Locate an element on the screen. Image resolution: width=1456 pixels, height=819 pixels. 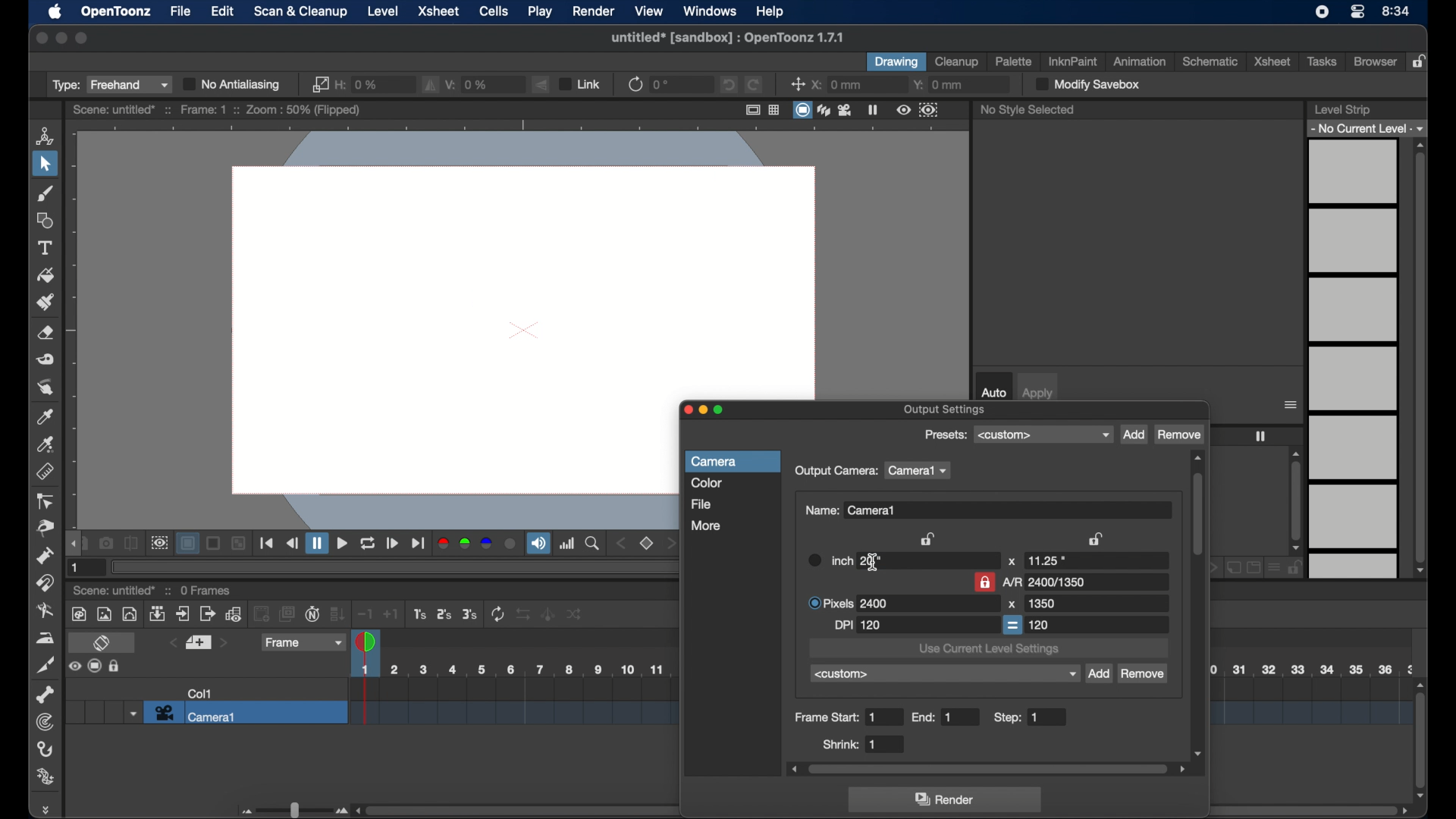
tasks is located at coordinates (1324, 61).